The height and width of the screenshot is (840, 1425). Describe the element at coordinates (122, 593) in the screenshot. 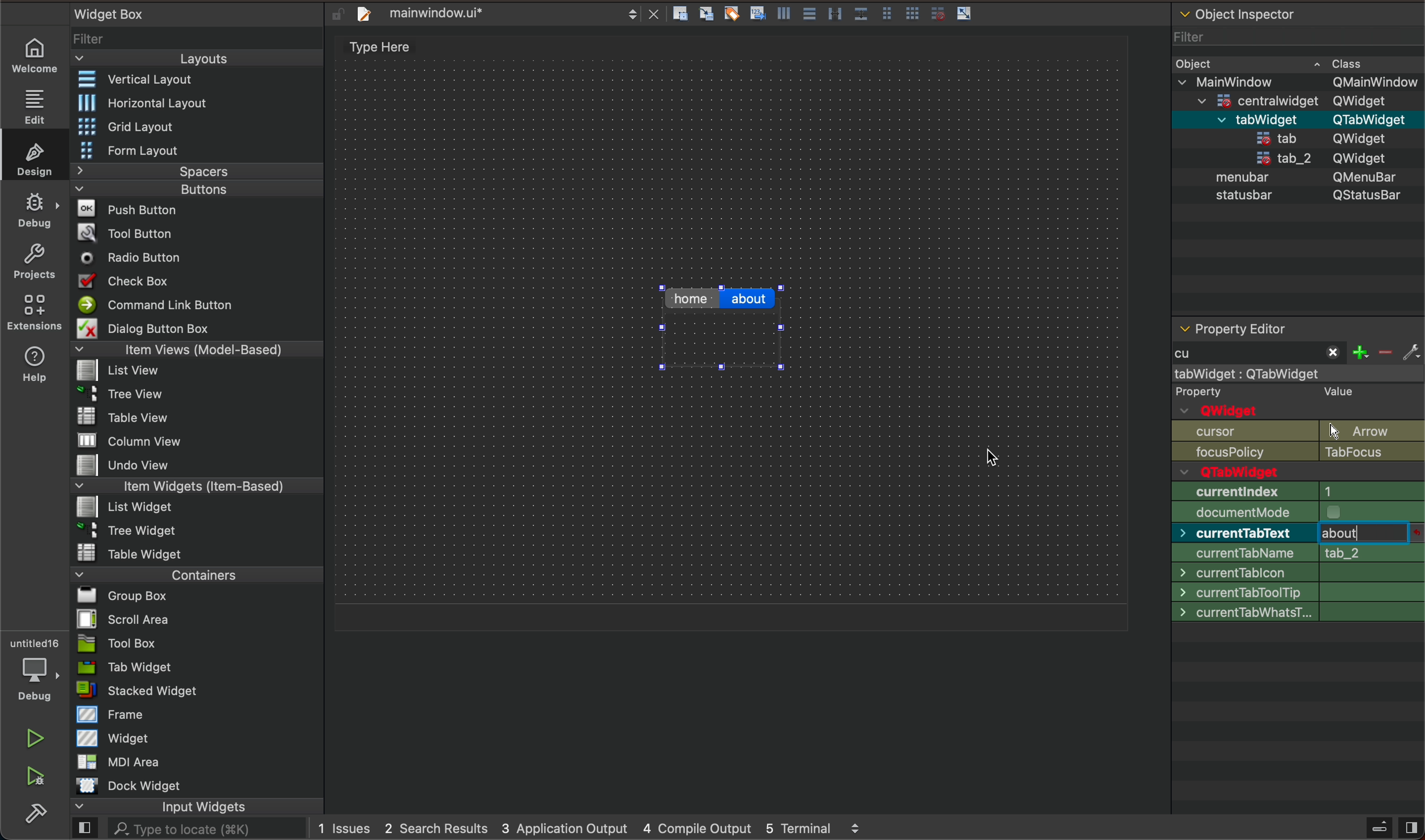

I see `Bl Group Box` at that location.